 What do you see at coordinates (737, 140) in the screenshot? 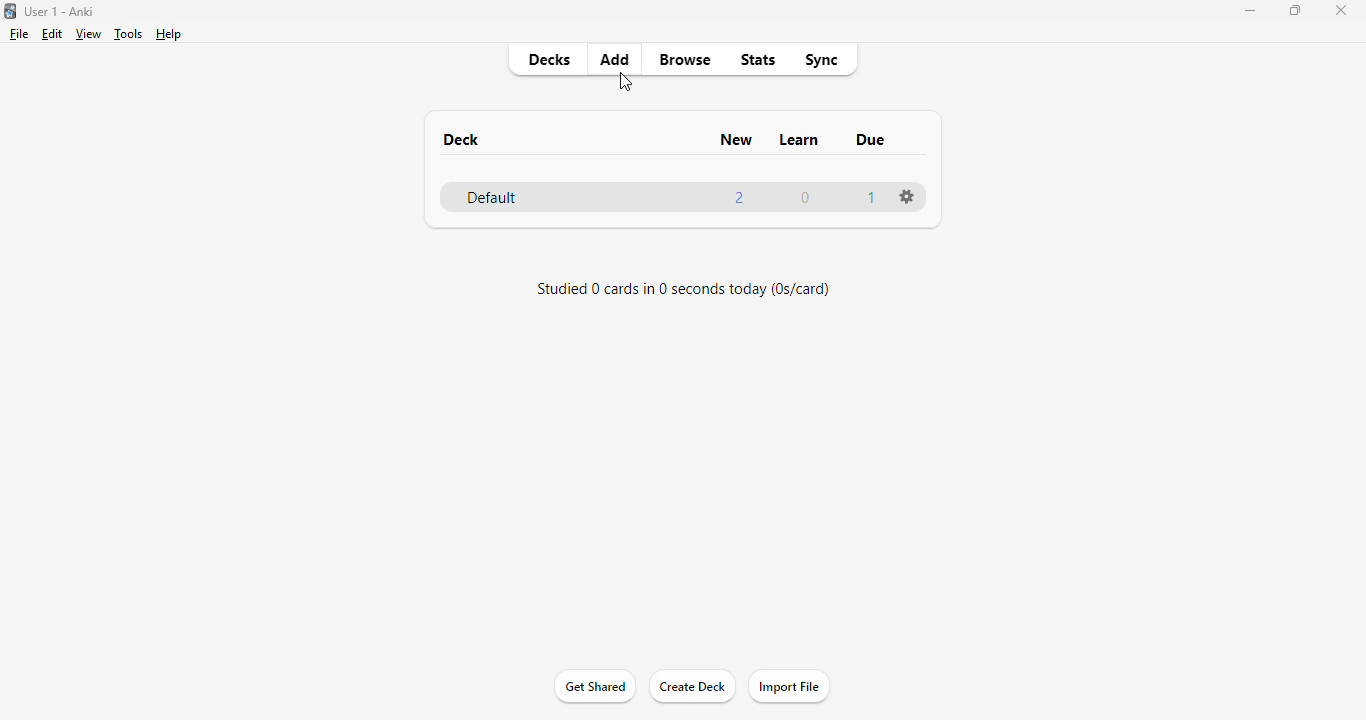
I see `new` at bounding box center [737, 140].